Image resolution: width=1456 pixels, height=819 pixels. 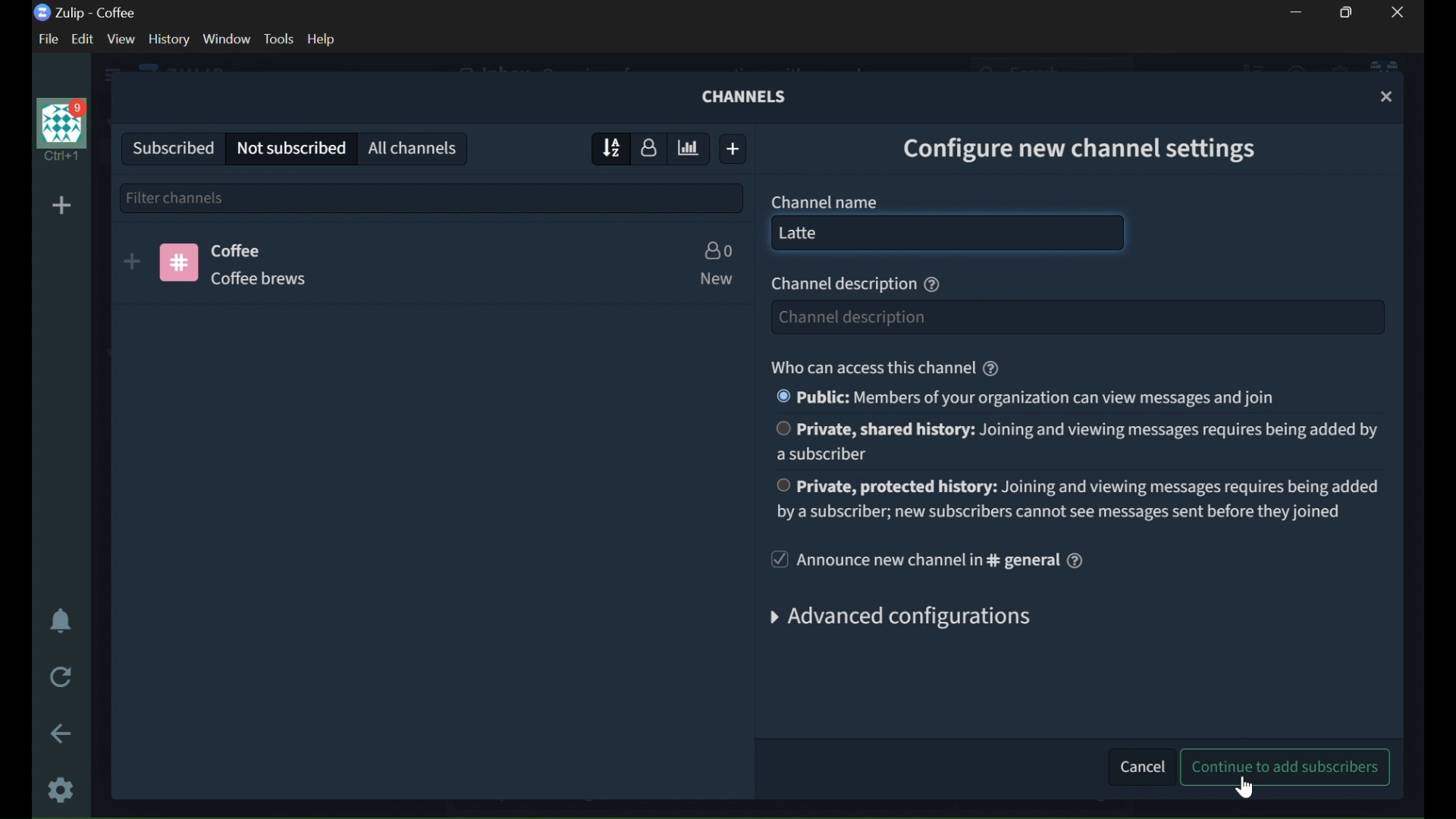 What do you see at coordinates (61, 623) in the screenshot?
I see `ENABLE DO NOT DISTURBE` at bounding box center [61, 623].